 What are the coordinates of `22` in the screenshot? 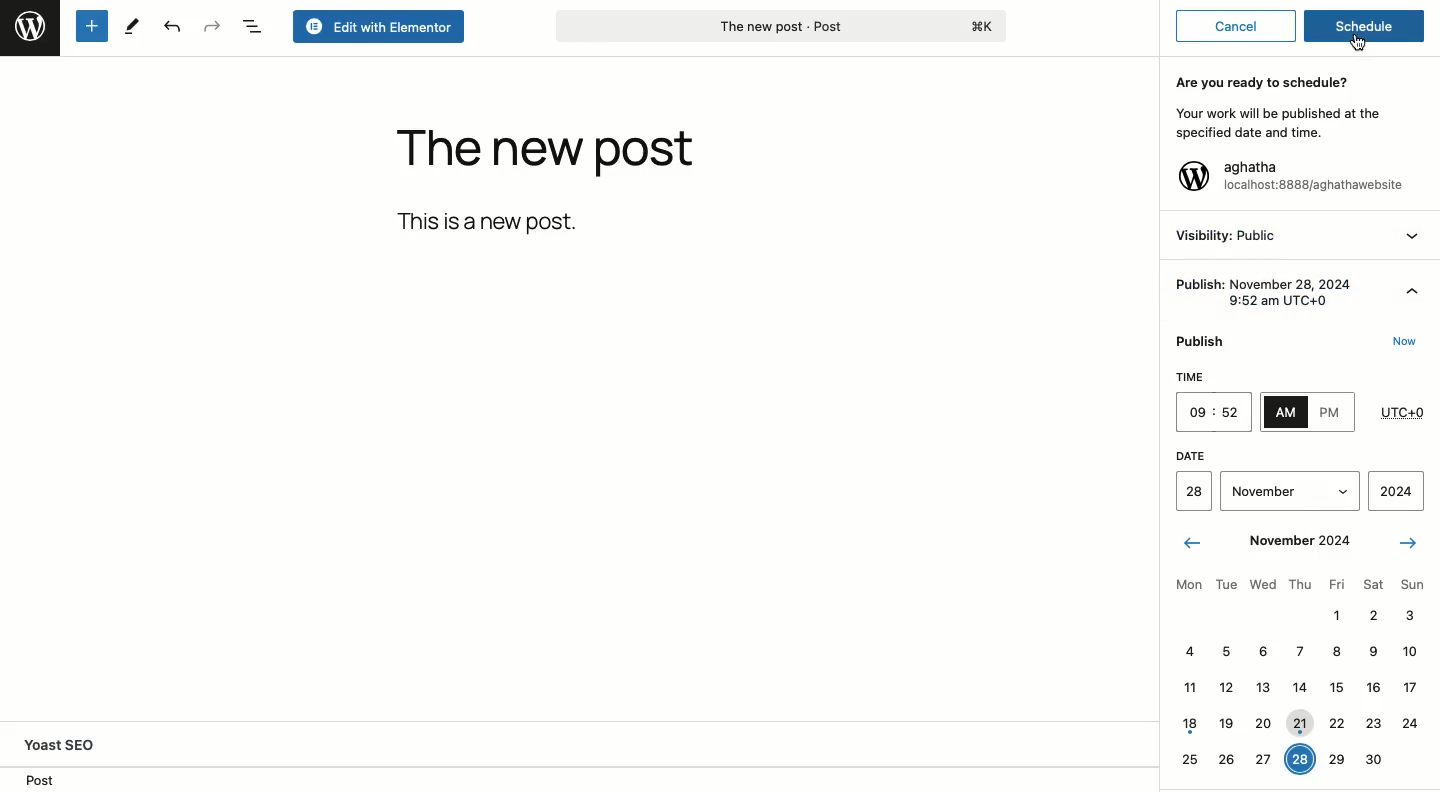 It's located at (1337, 722).